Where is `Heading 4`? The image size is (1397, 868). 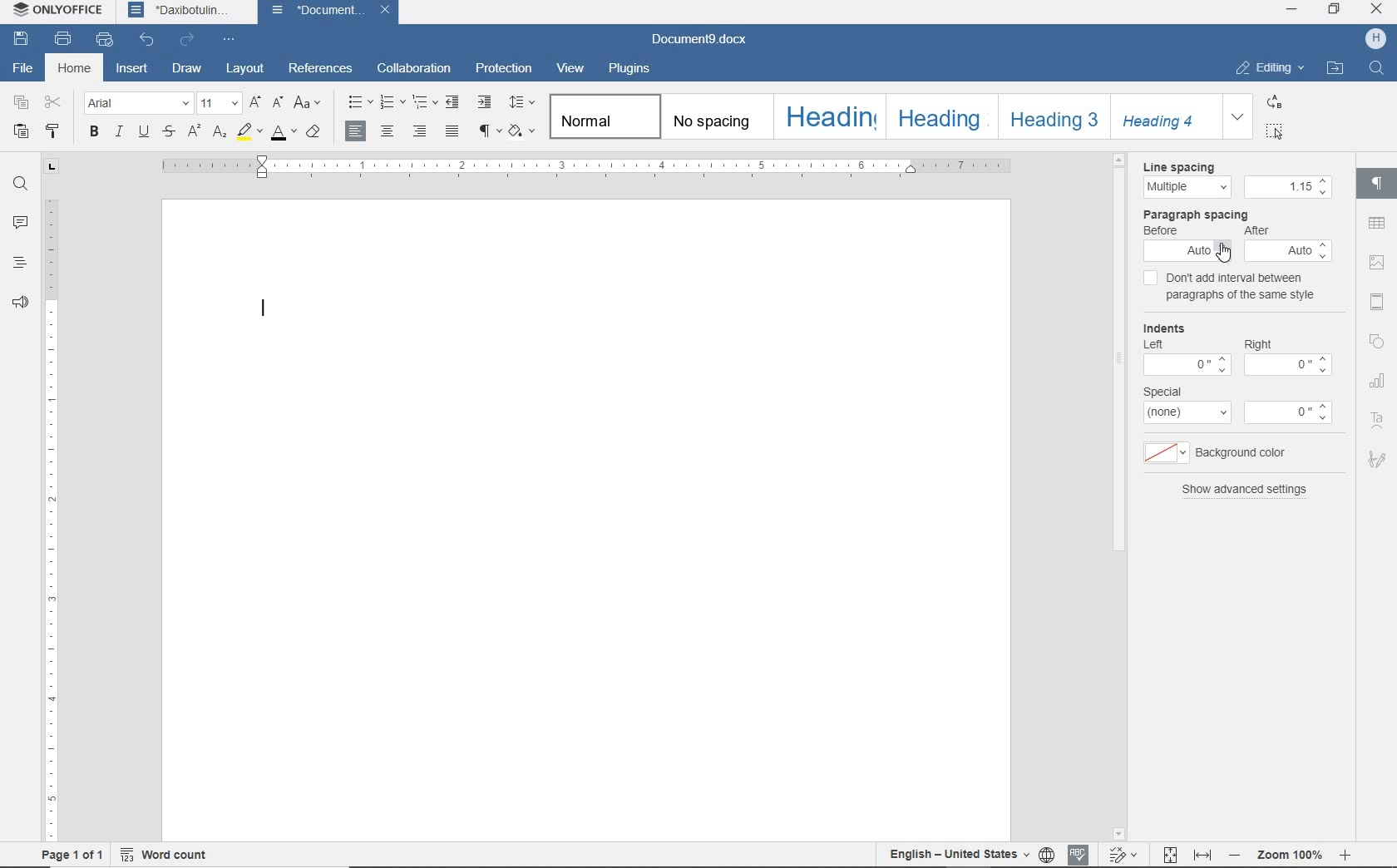
Heading 4 is located at coordinates (1167, 116).